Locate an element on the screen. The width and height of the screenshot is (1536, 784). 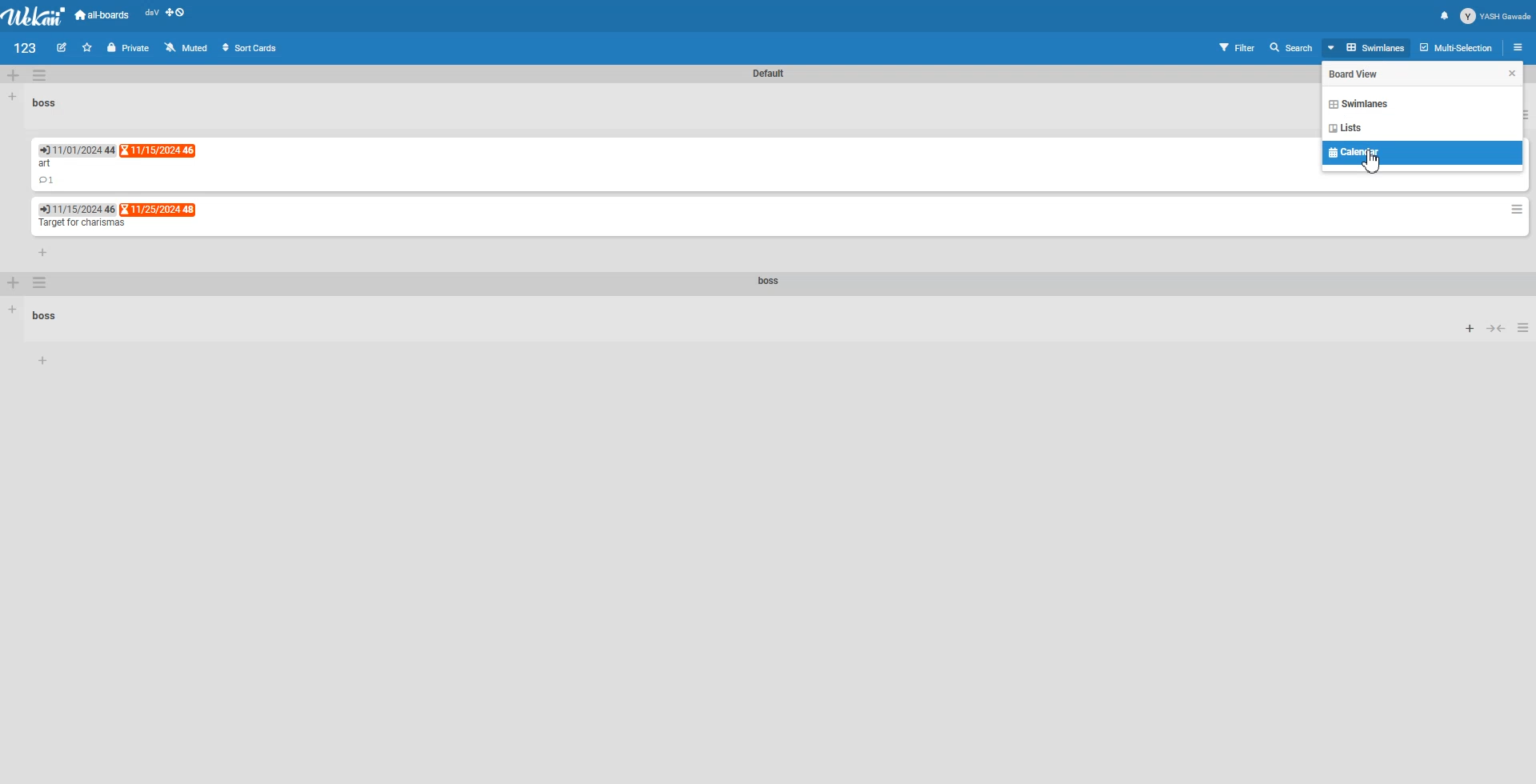
Add Swimlane is located at coordinates (14, 75).